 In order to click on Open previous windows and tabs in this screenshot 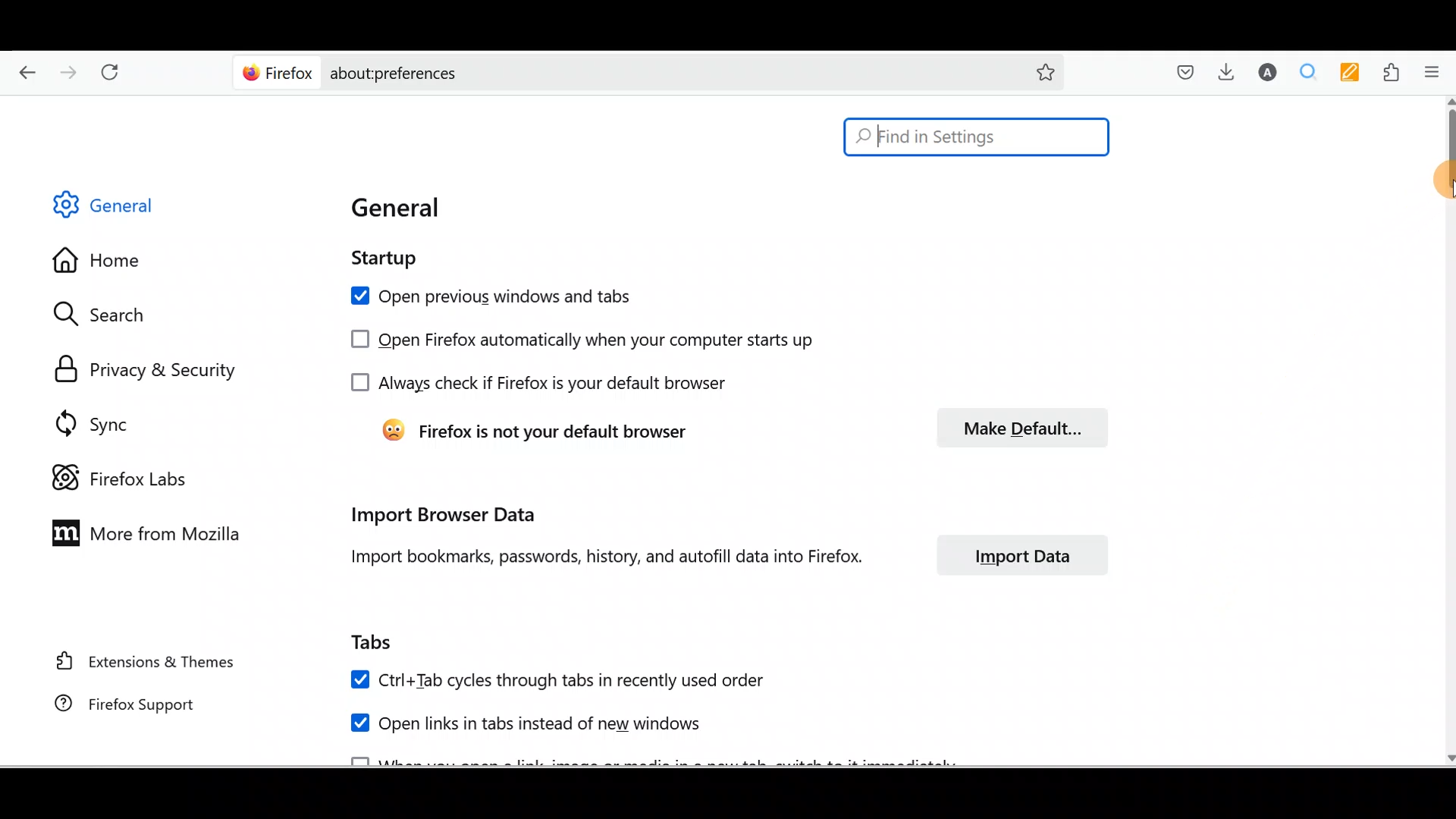, I will do `click(519, 295)`.